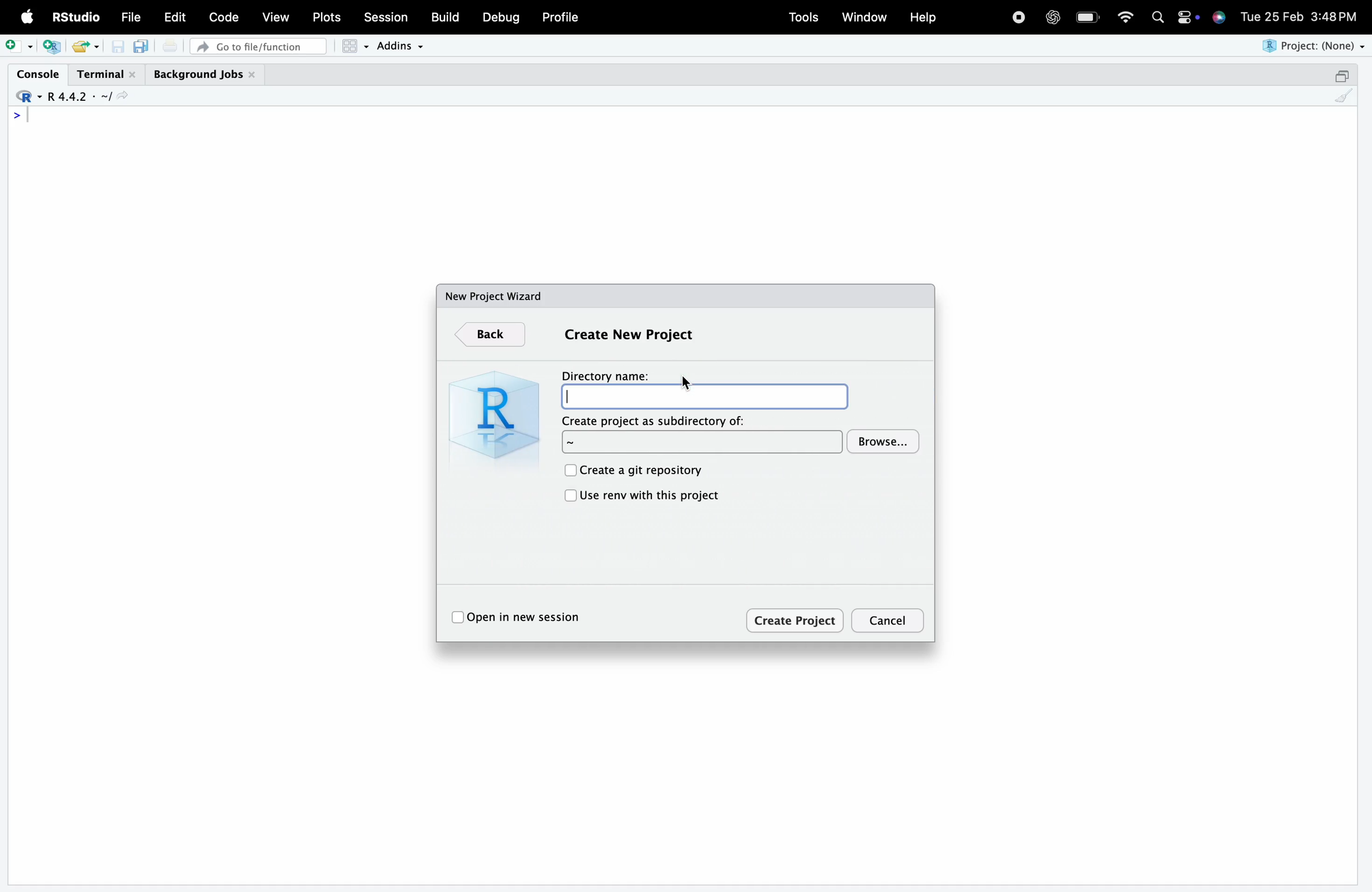 The image size is (1372, 892). What do you see at coordinates (704, 396) in the screenshot?
I see `Directory name:` at bounding box center [704, 396].